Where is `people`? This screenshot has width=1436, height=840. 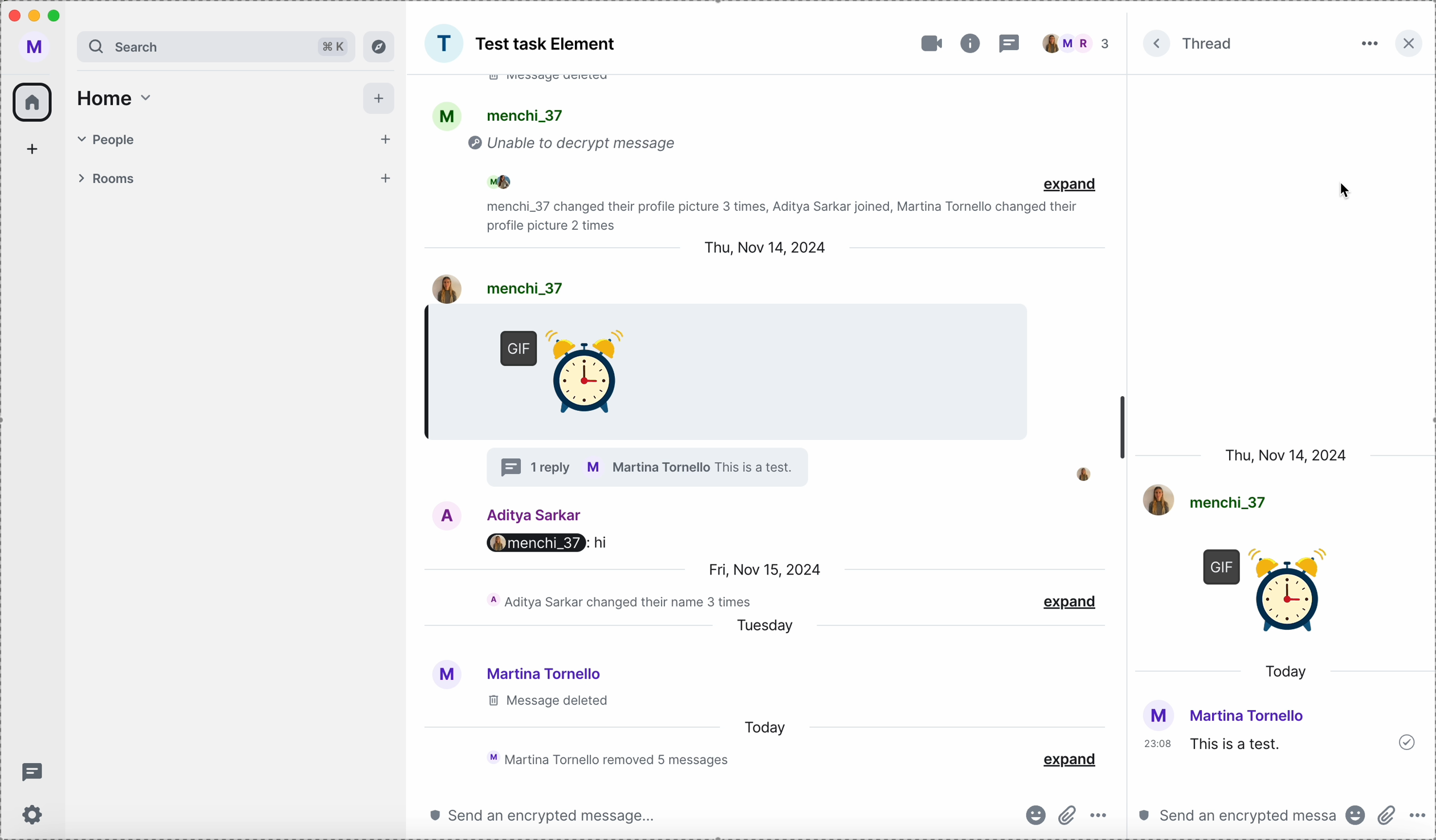
people is located at coordinates (1079, 44).